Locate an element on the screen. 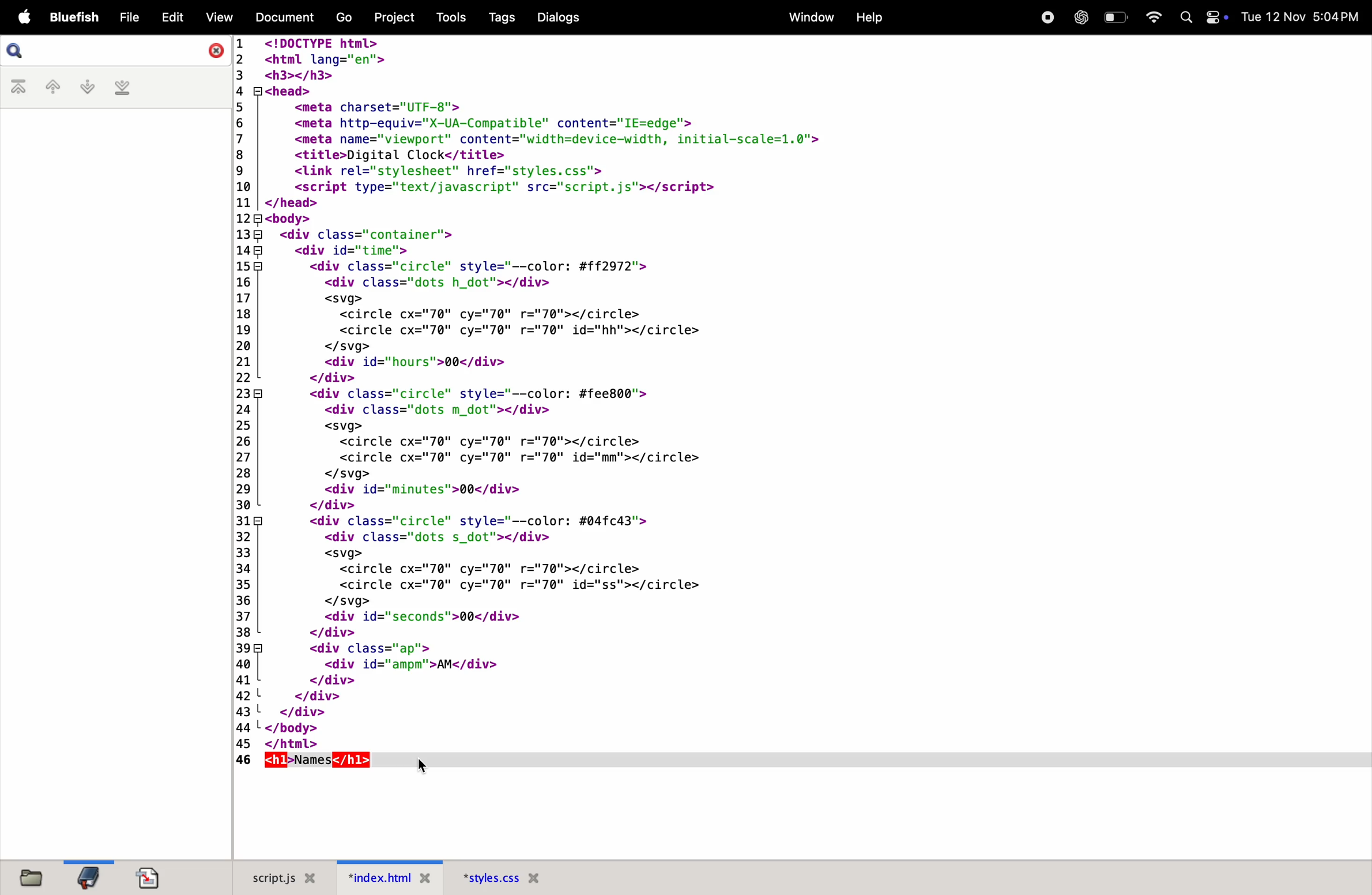 This screenshot has width=1372, height=895. script.js is located at coordinates (281, 876).